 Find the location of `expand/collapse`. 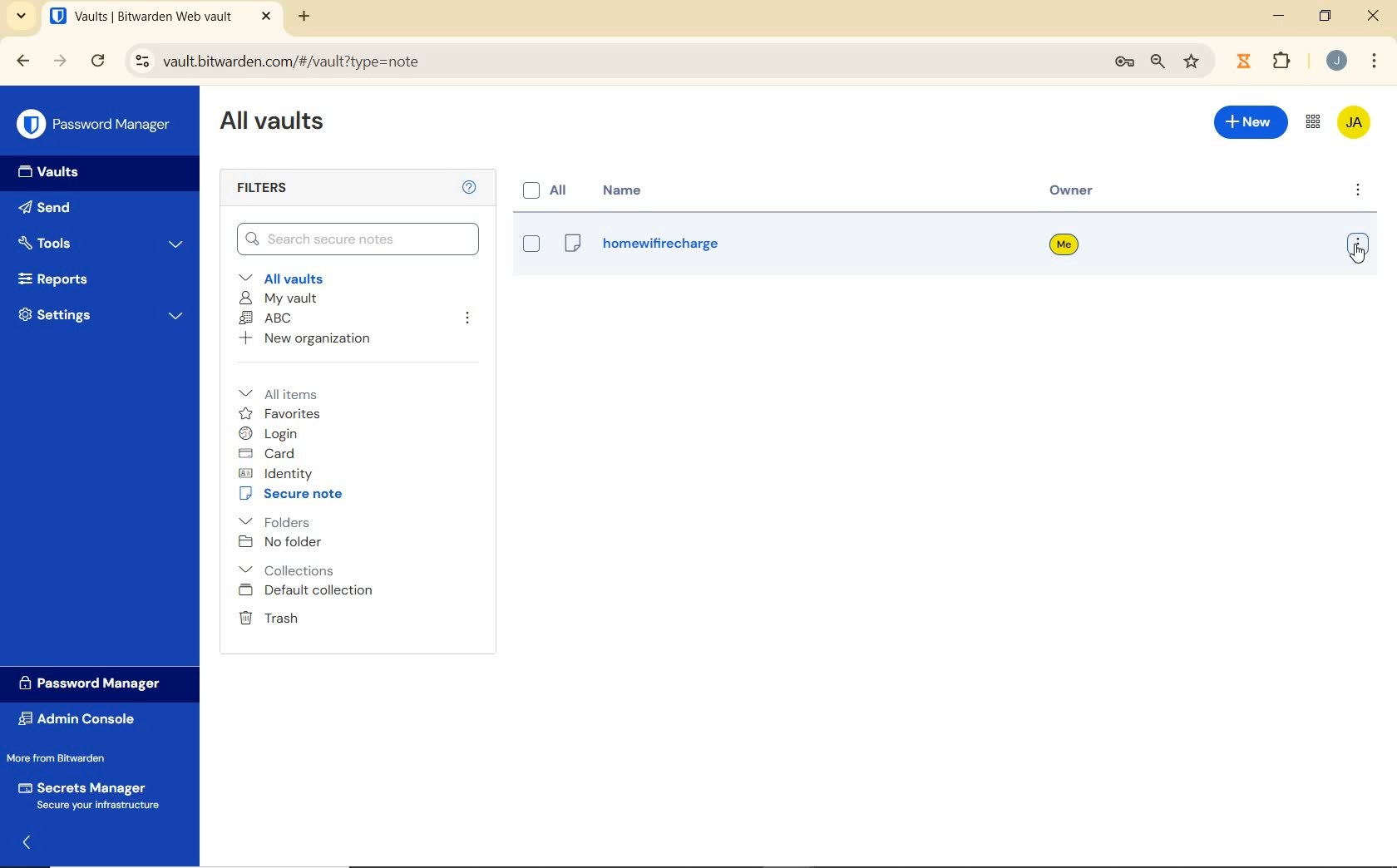

expand/collapse is located at coordinates (22, 846).